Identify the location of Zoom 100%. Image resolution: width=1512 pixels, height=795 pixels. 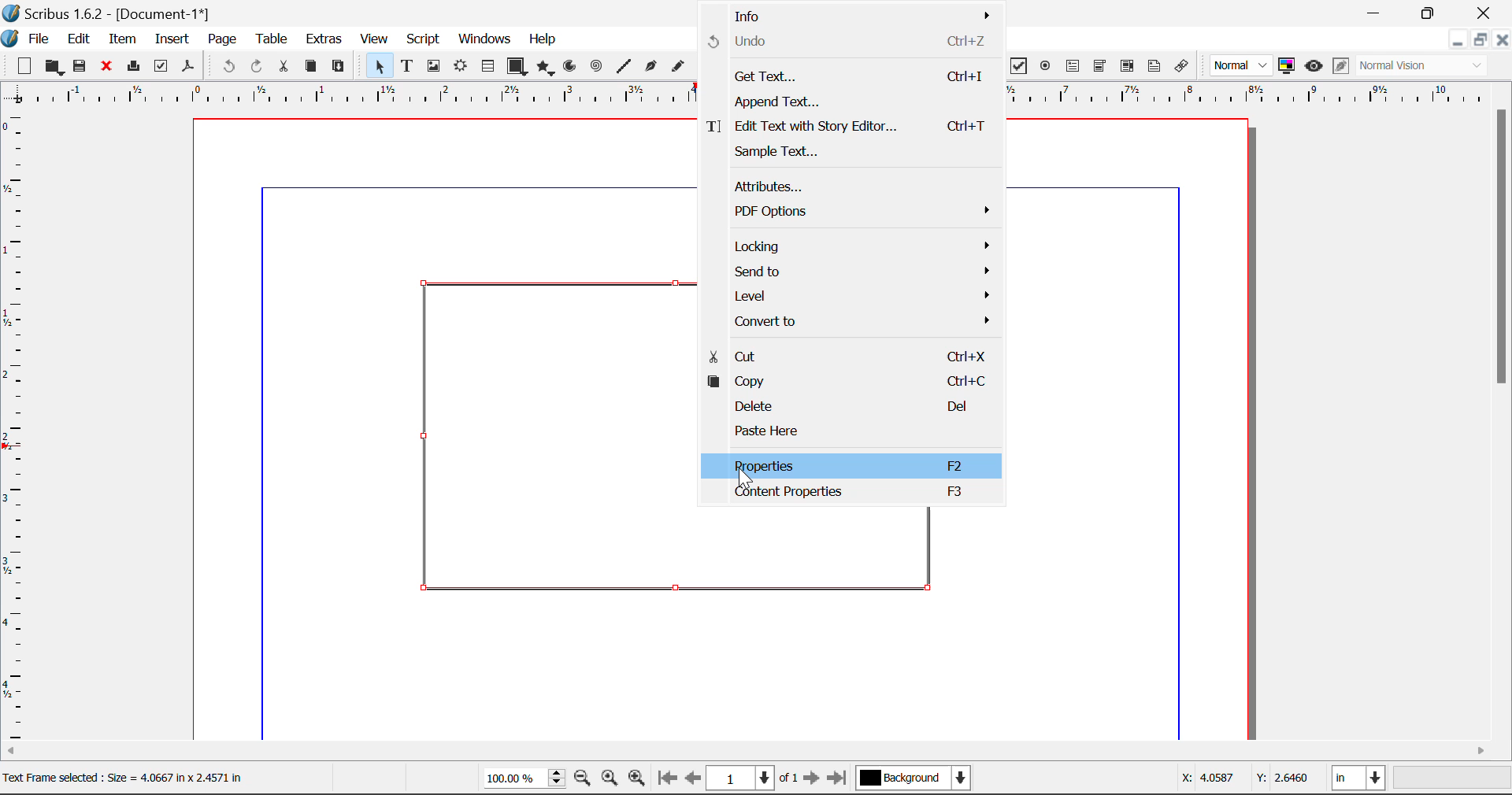
(524, 779).